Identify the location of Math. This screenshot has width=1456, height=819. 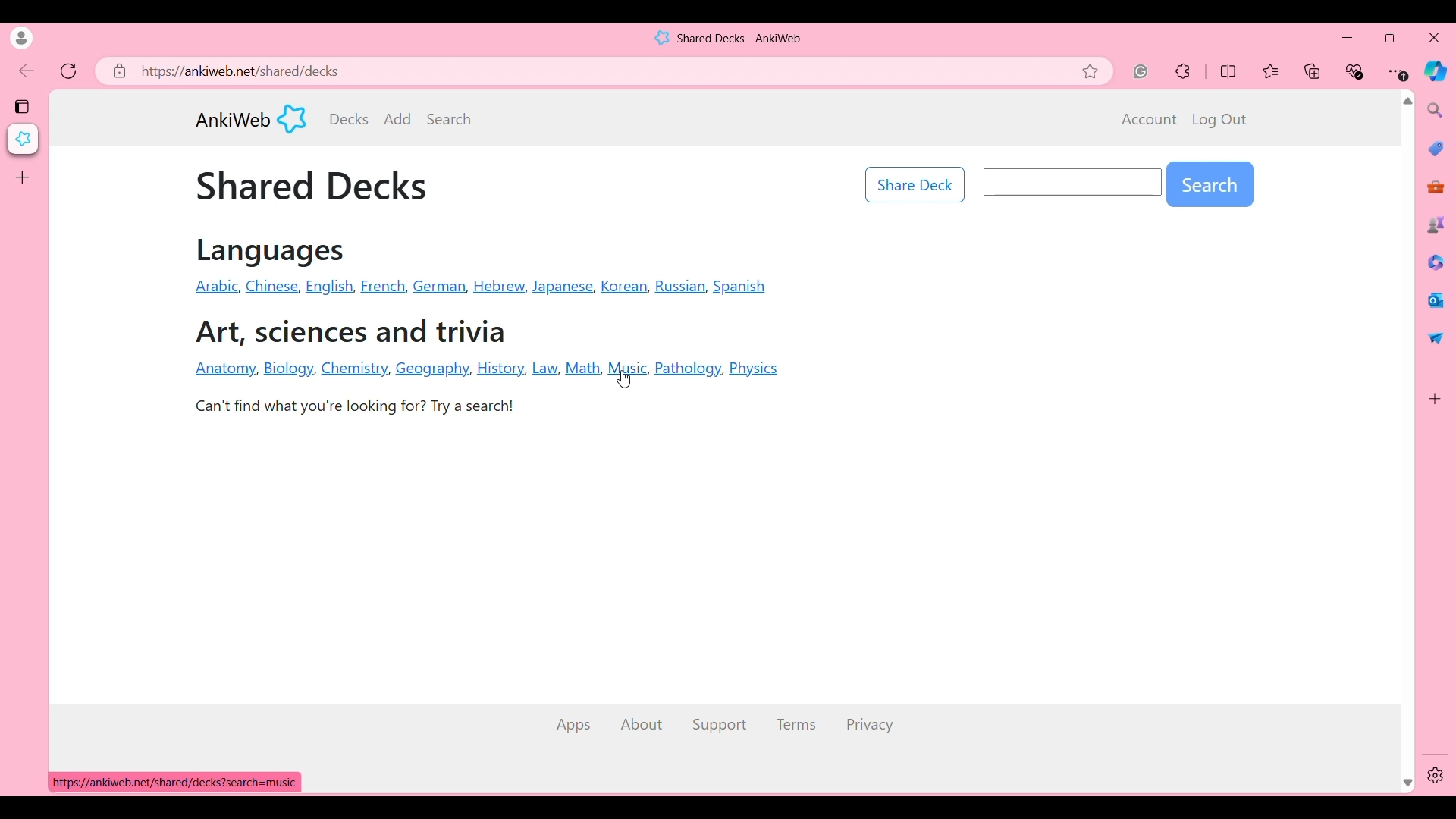
(580, 369).